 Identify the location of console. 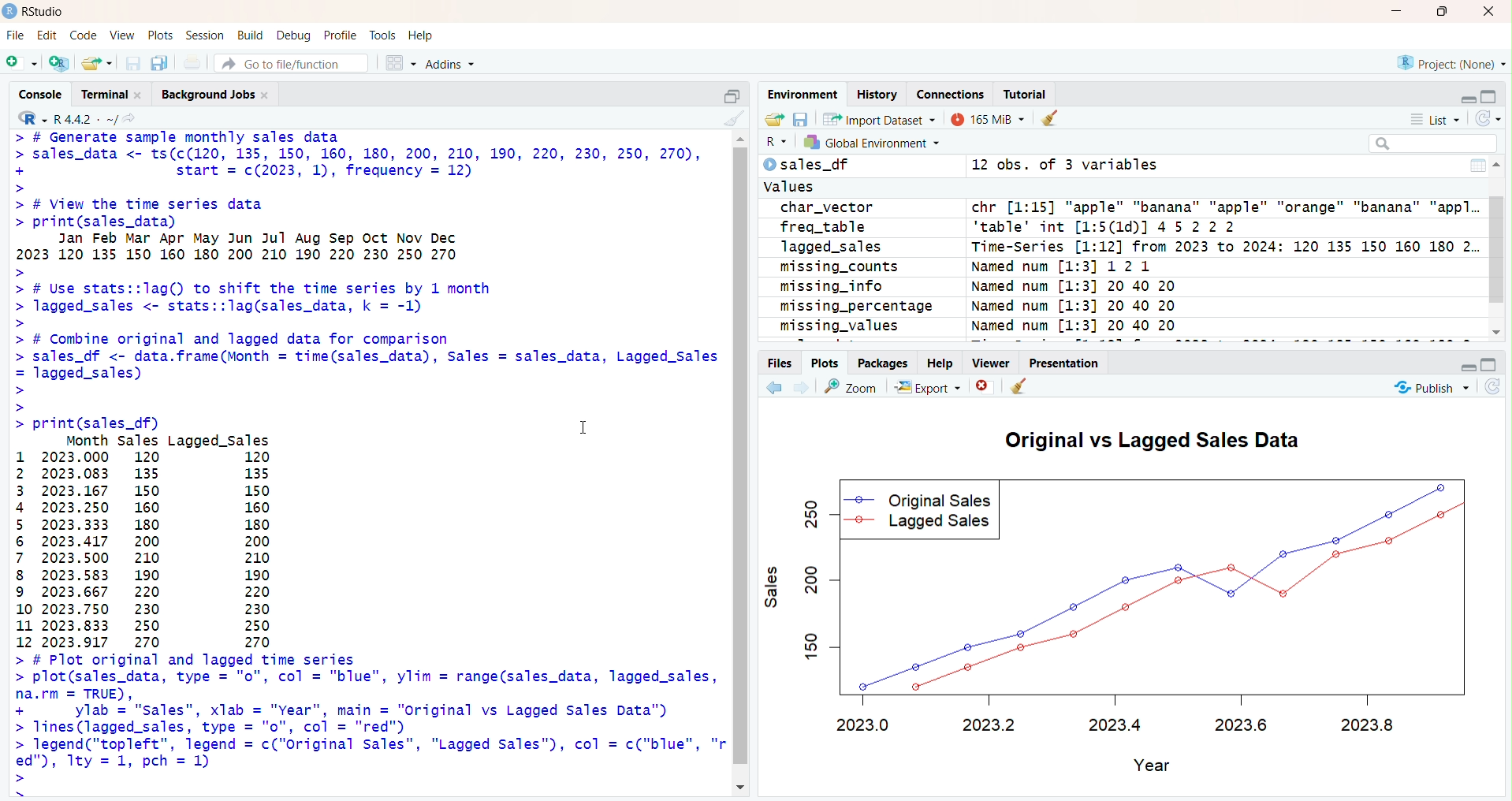
(41, 95).